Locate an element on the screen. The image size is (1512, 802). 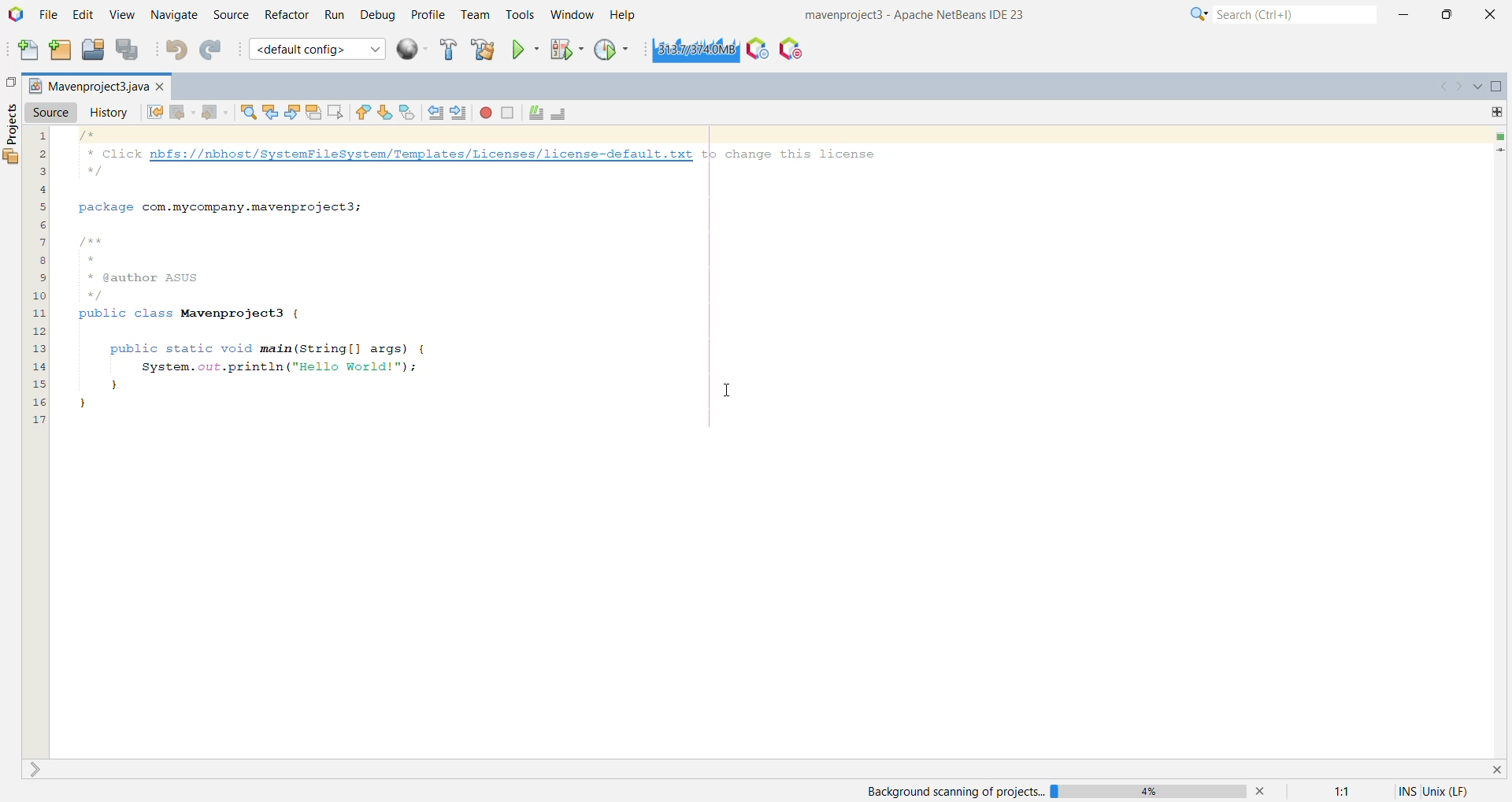
Start Macro Recording is located at coordinates (487, 113).